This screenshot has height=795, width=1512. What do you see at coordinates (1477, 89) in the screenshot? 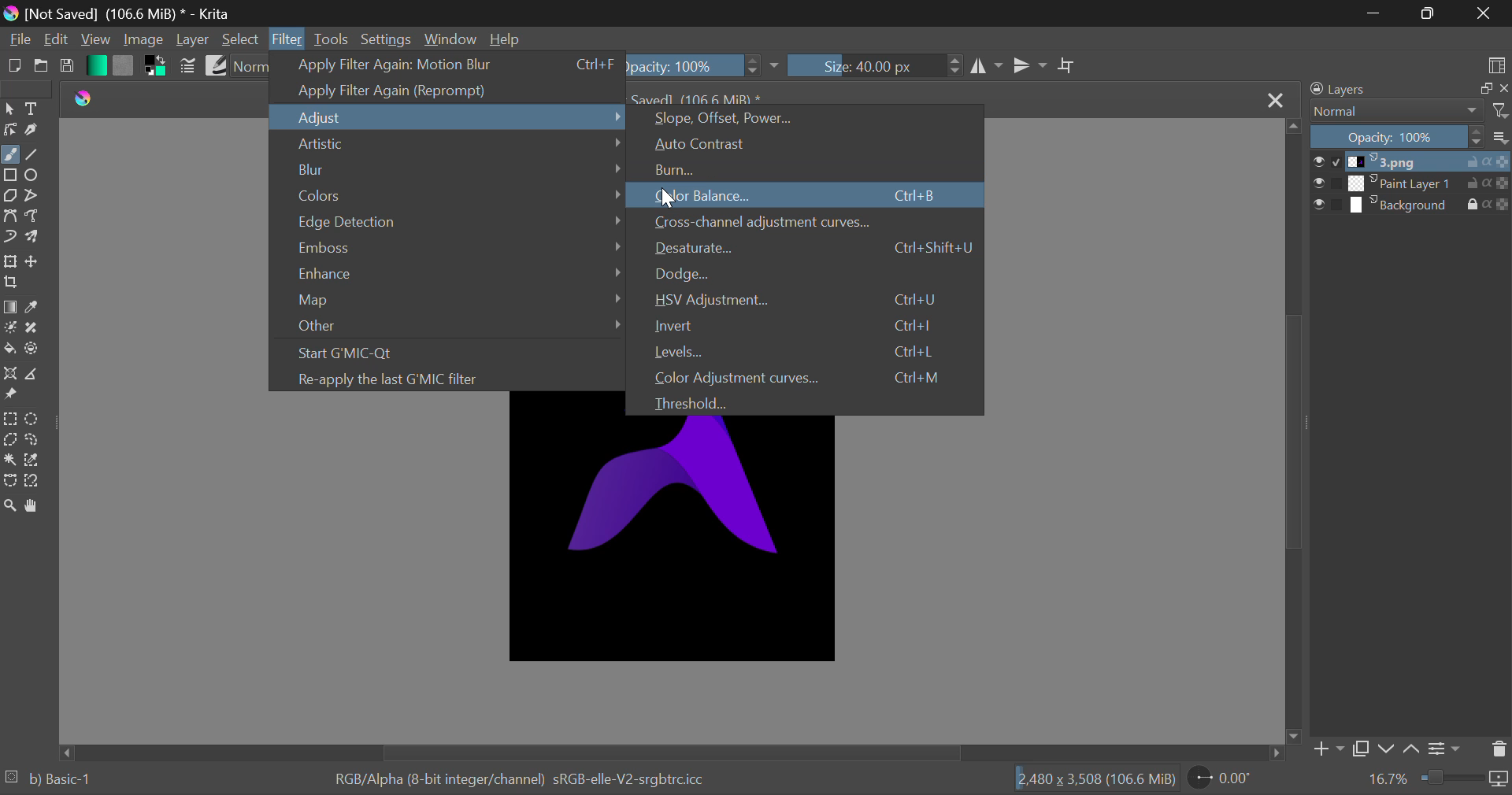
I see `maximize` at bounding box center [1477, 89].